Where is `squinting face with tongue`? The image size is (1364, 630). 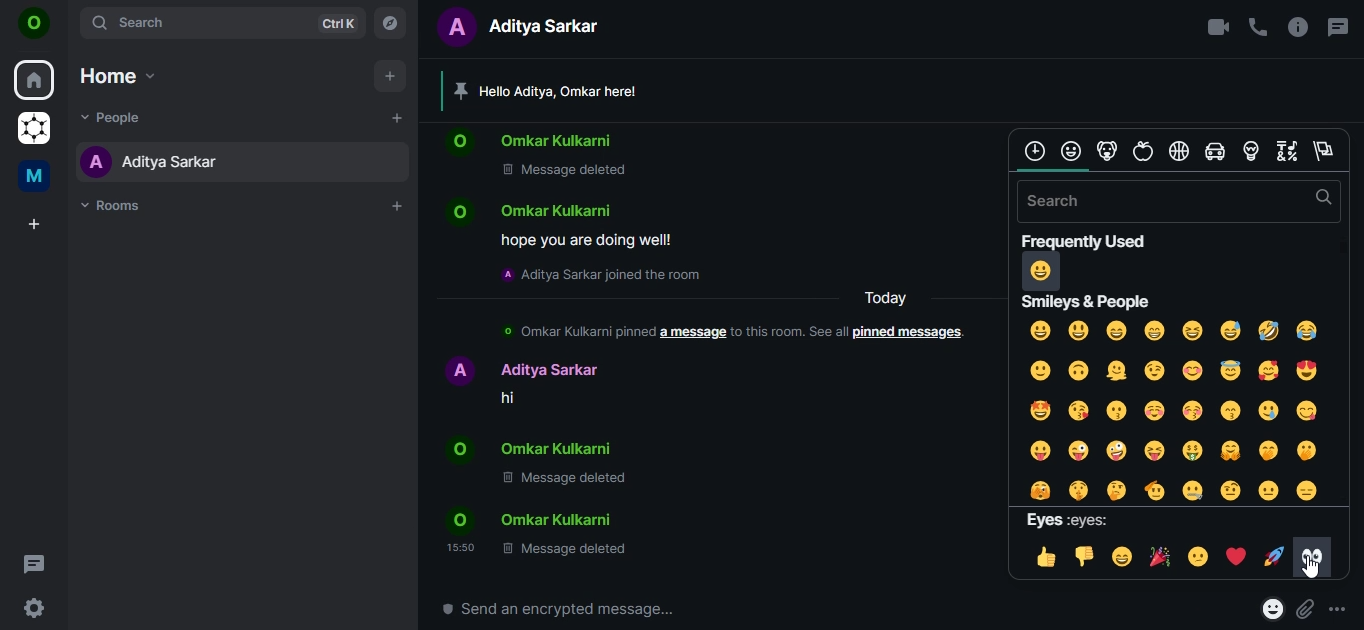
squinting face with tongue is located at coordinates (1153, 451).